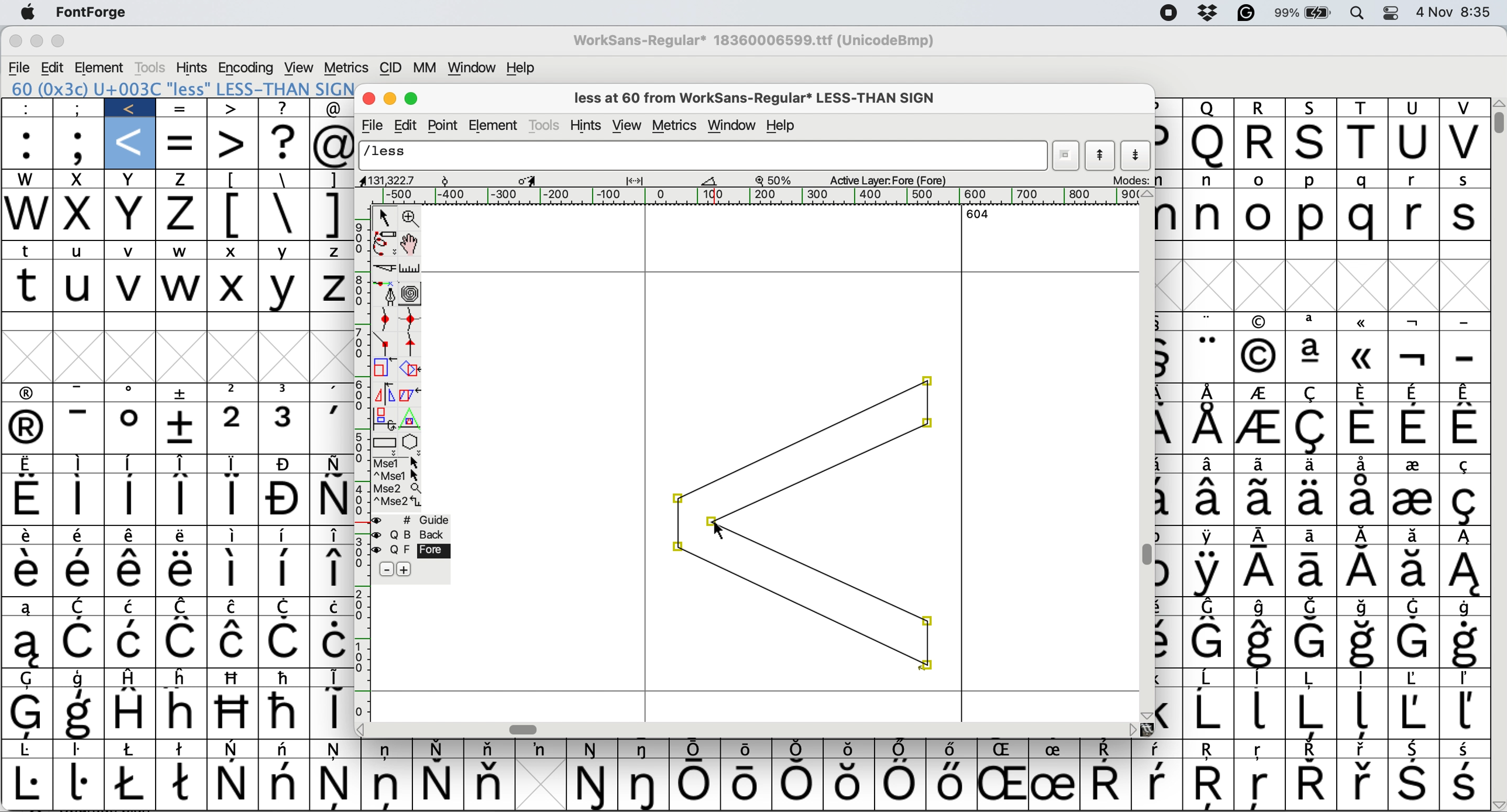 This screenshot has width=1507, height=812. I want to click on Symbol, so click(648, 785).